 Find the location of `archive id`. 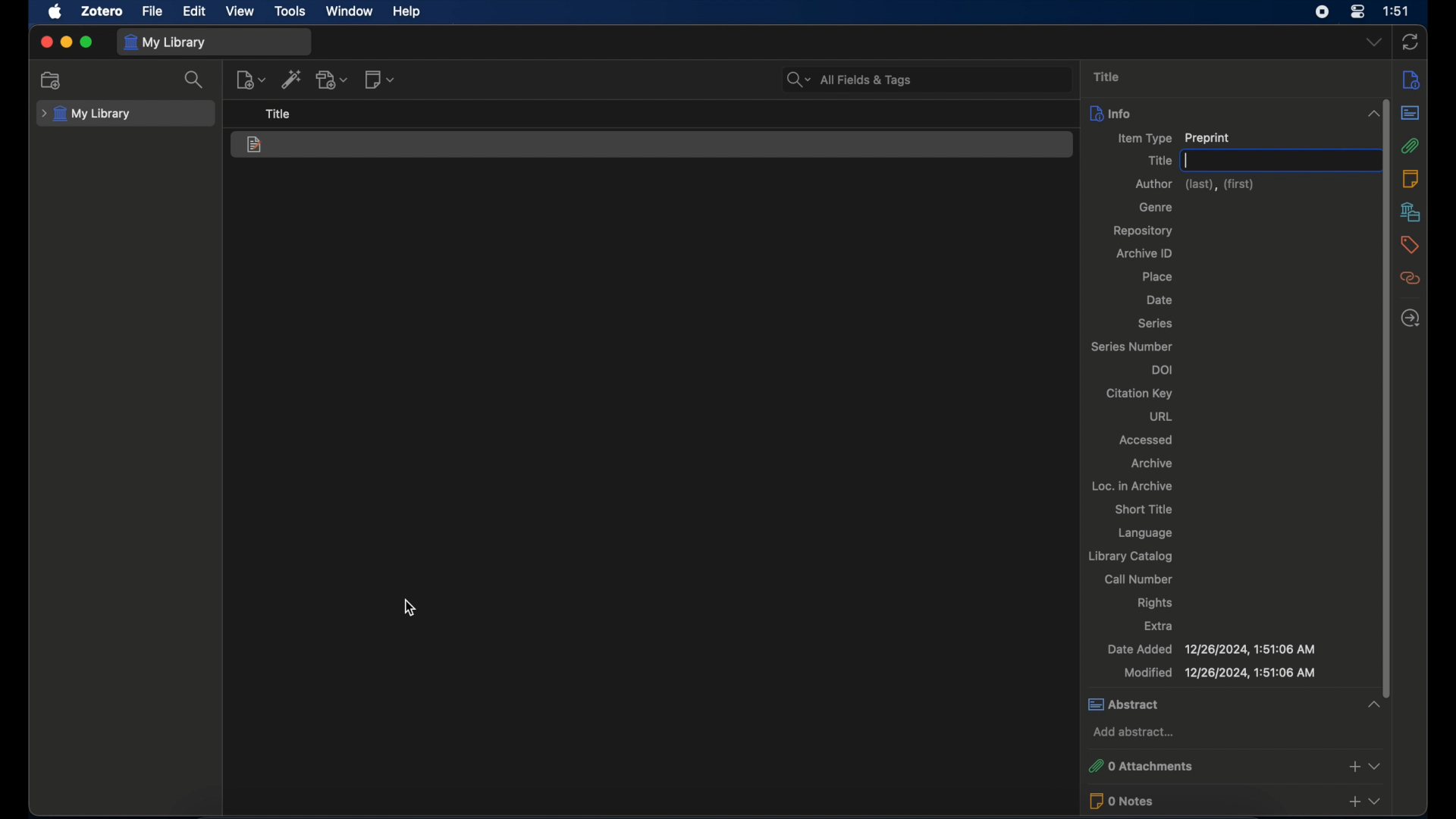

archive id is located at coordinates (1143, 253).